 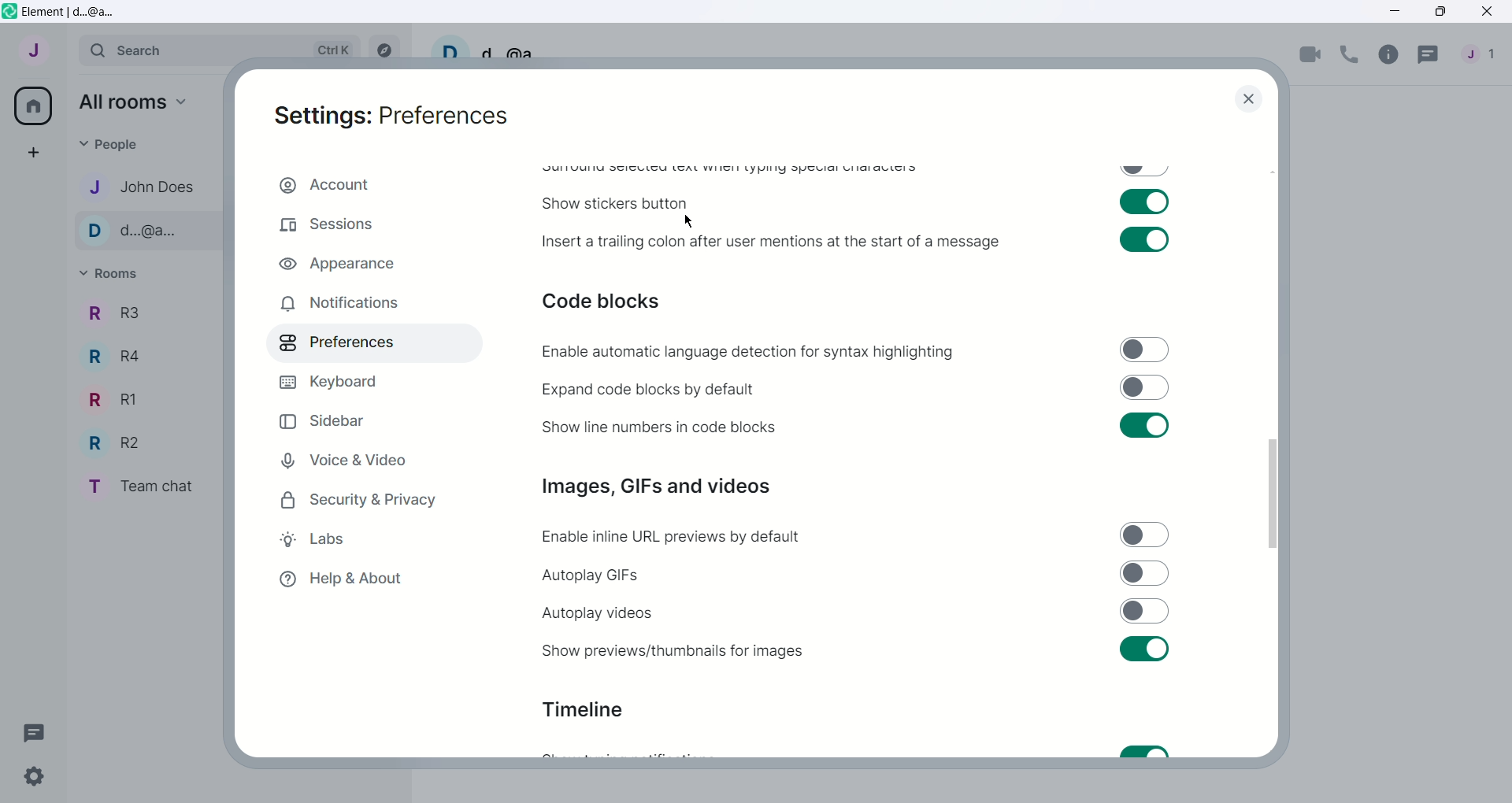 What do you see at coordinates (370, 261) in the screenshot?
I see `Appearance` at bounding box center [370, 261].